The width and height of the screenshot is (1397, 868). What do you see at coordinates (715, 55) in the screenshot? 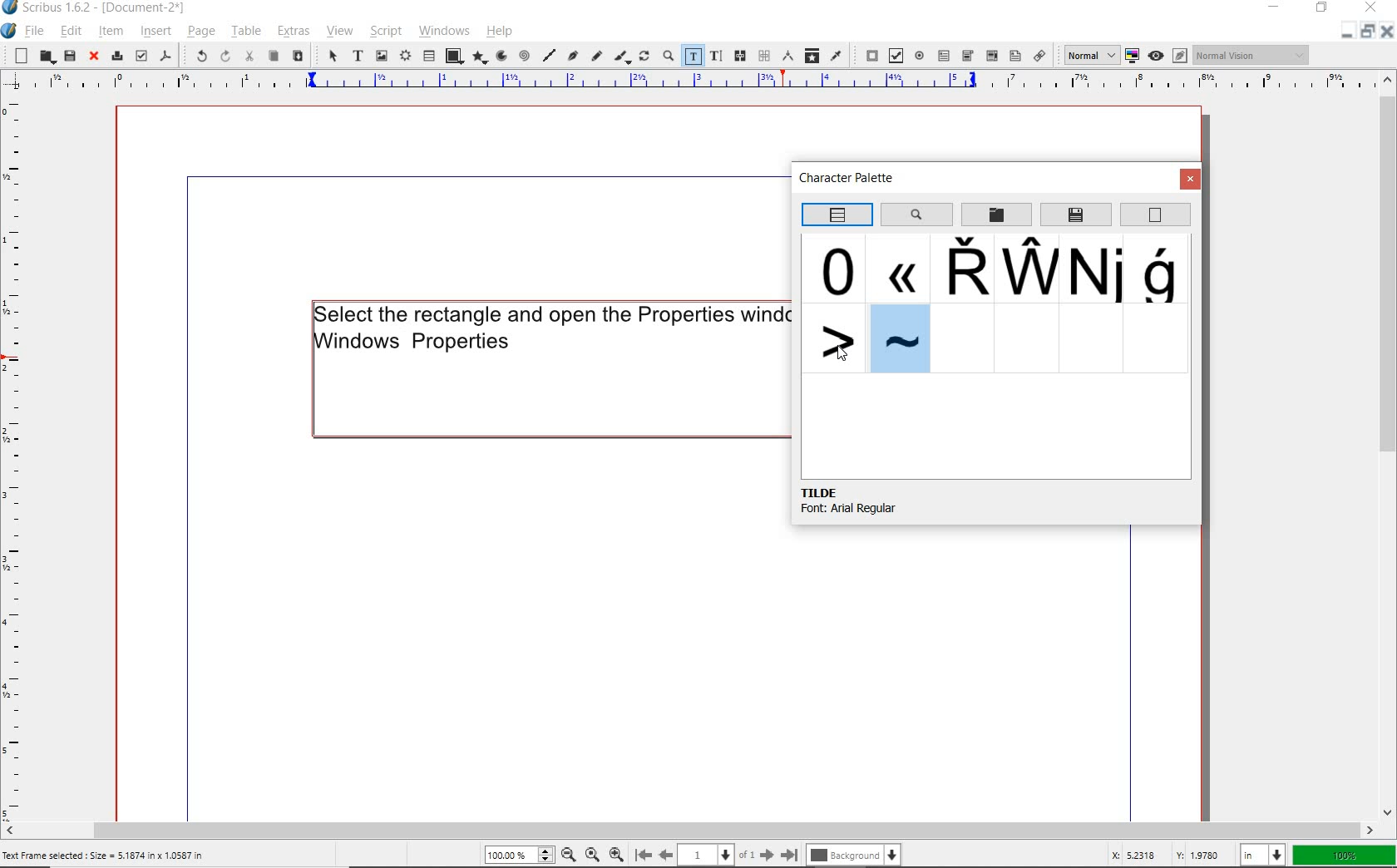
I see `edit text with story editor` at bounding box center [715, 55].